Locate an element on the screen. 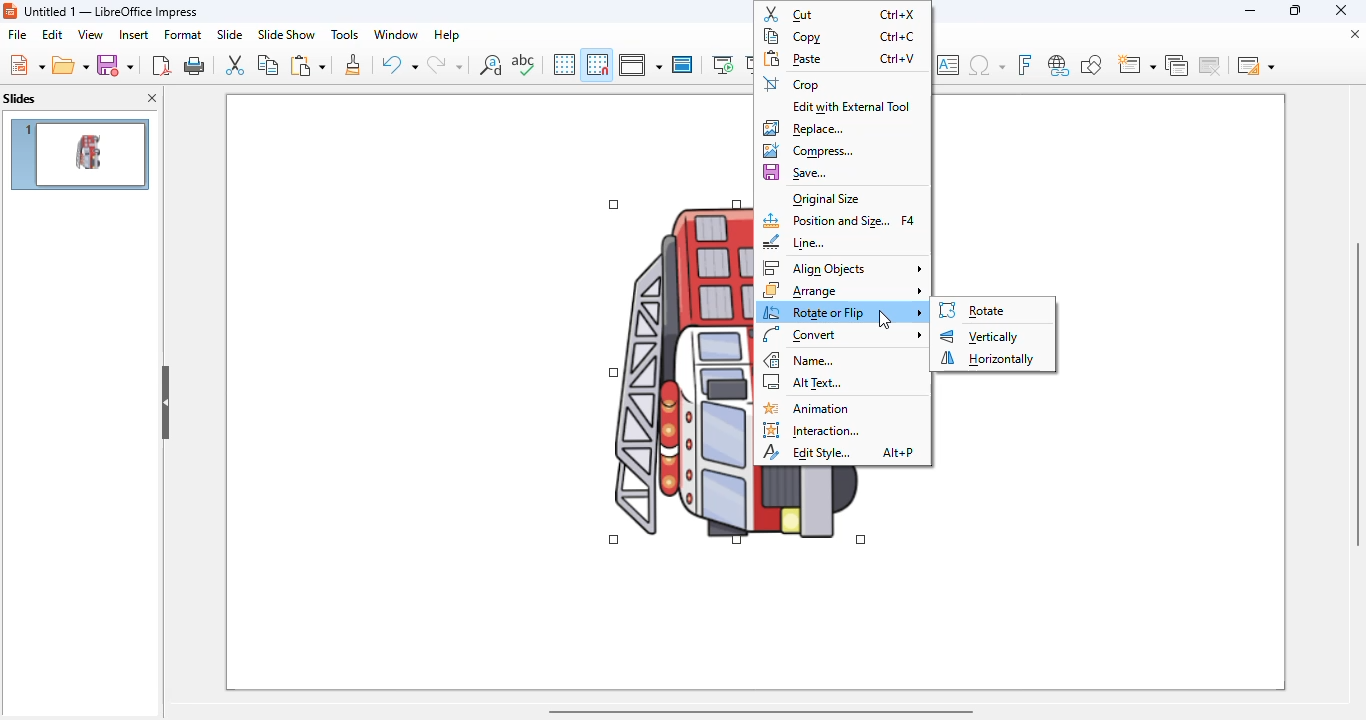 This screenshot has width=1366, height=720. crop is located at coordinates (792, 84).